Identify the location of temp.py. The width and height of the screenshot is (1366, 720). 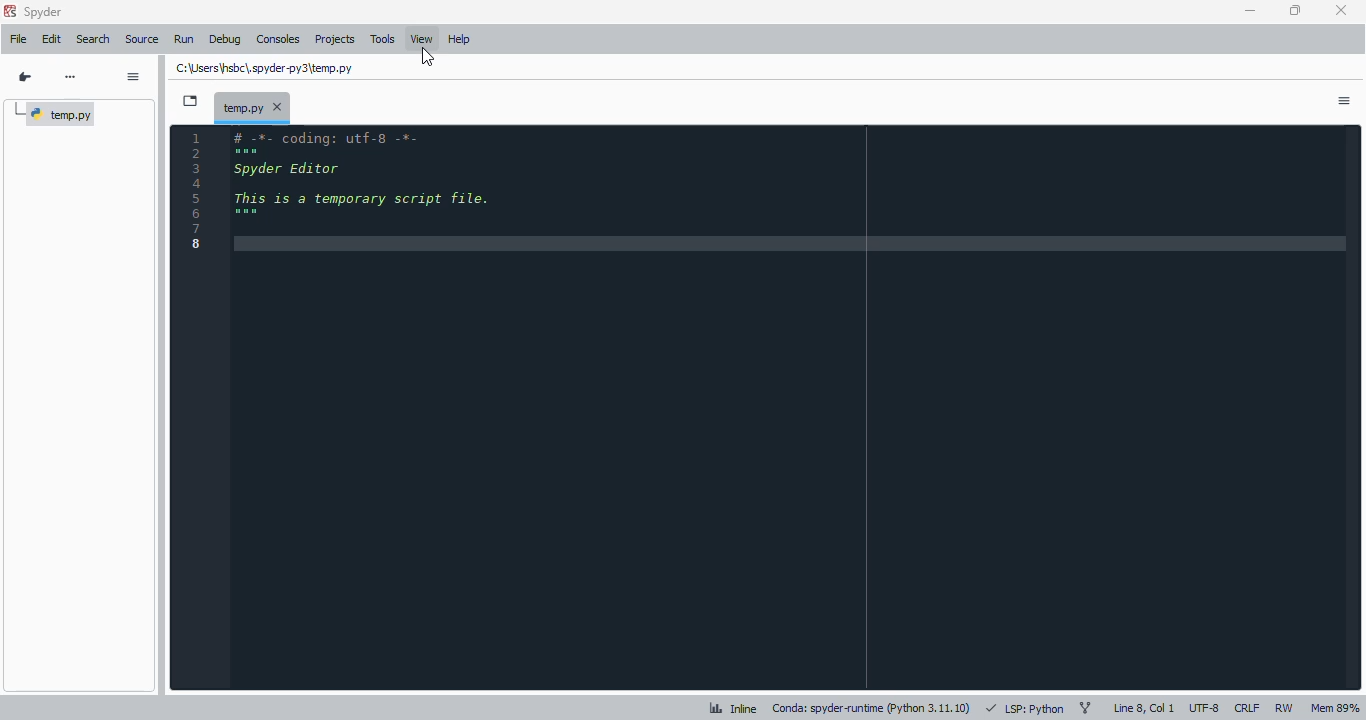
(55, 115).